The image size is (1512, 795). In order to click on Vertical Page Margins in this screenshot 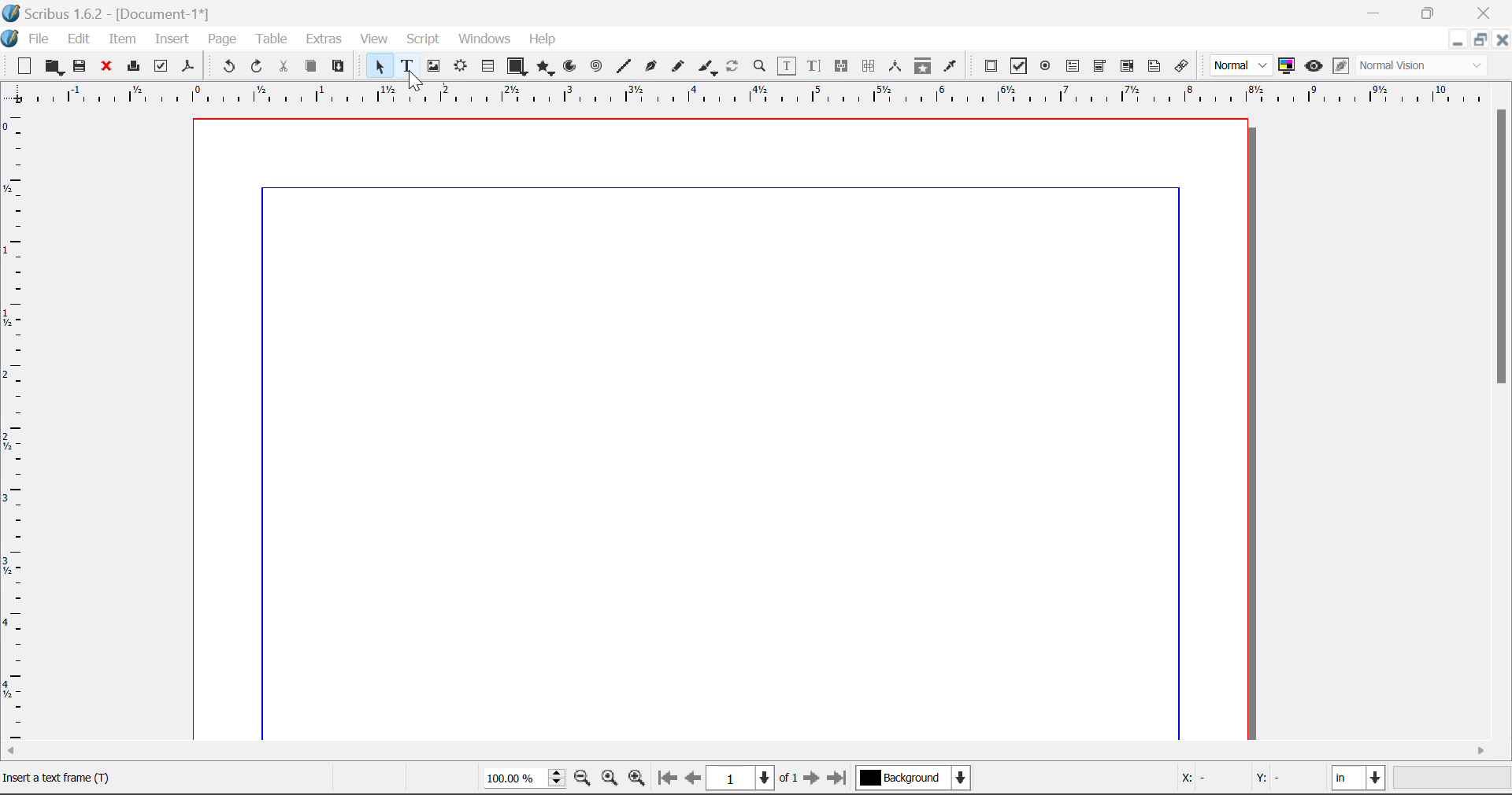, I will do `click(764, 94)`.